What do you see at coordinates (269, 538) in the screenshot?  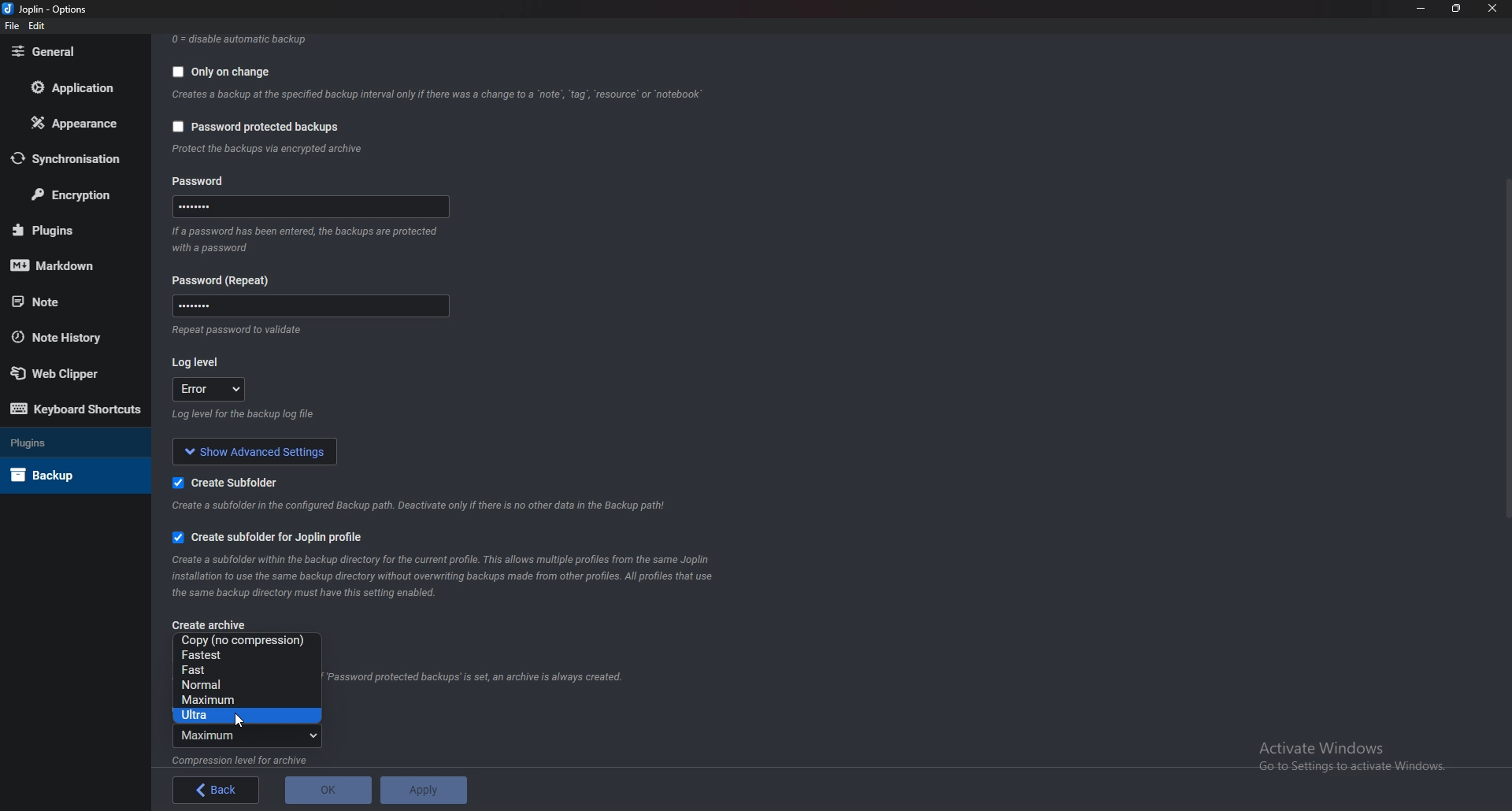 I see `Create sub folder for joplin profile` at bounding box center [269, 538].